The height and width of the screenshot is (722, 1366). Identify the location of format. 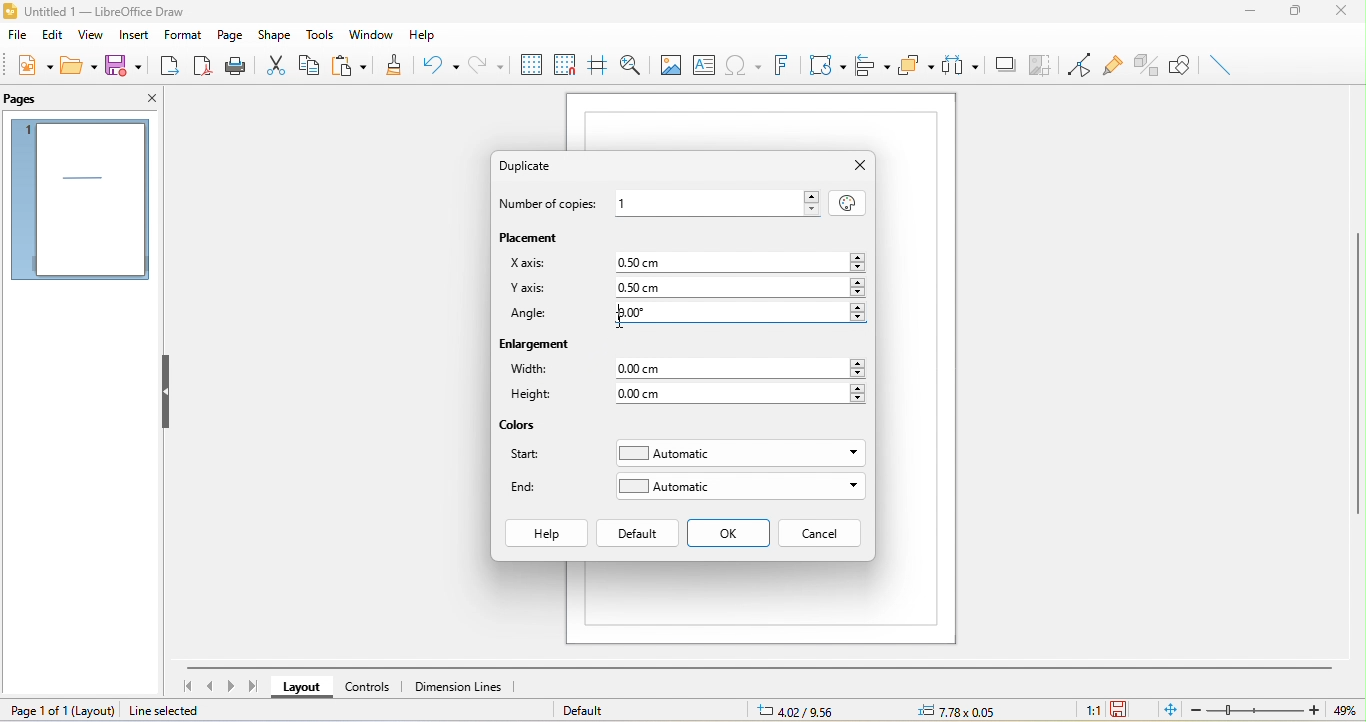
(184, 33).